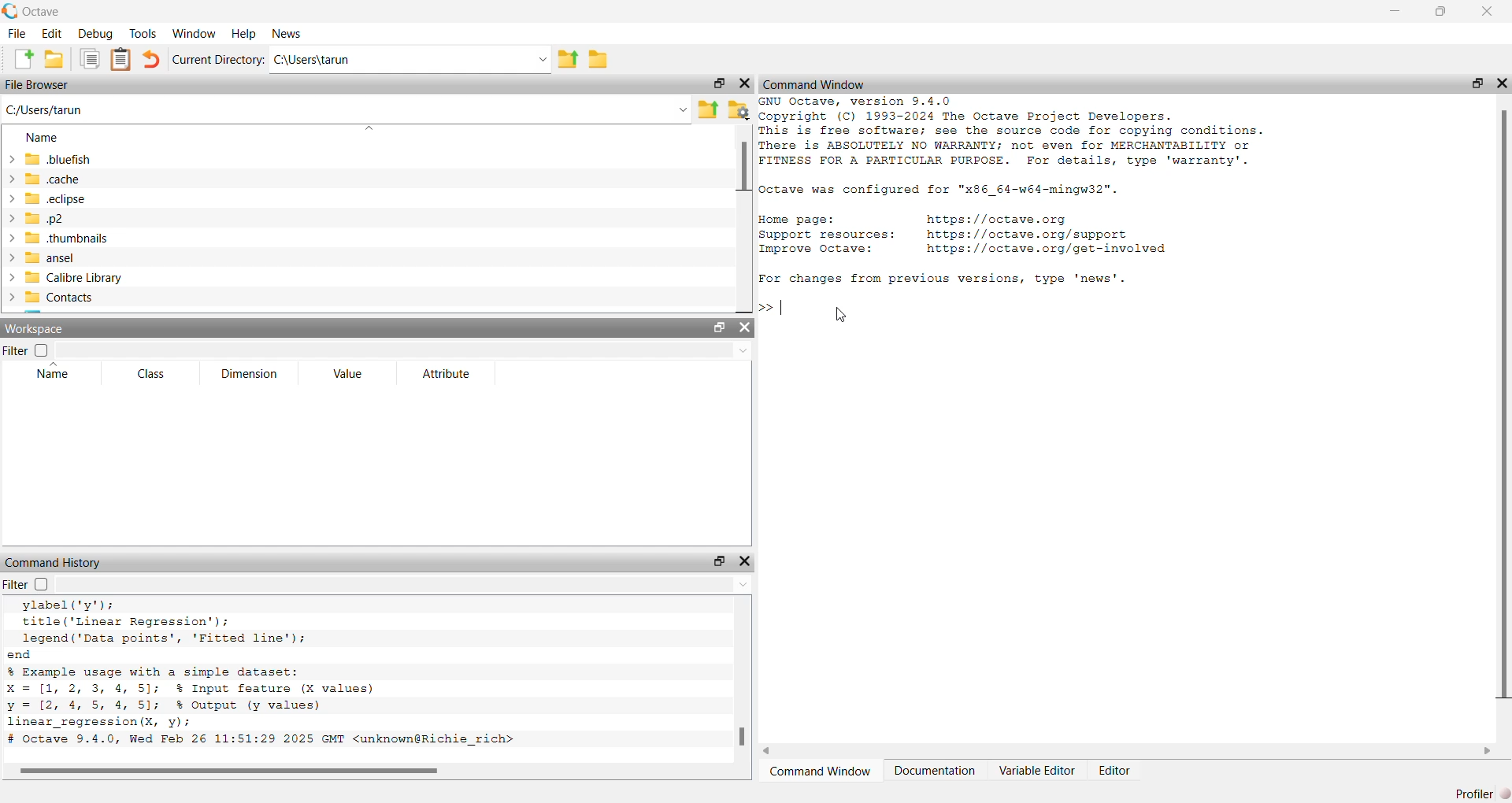  What do you see at coordinates (217, 59) in the screenshot?
I see `current directory` at bounding box center [217, 59].